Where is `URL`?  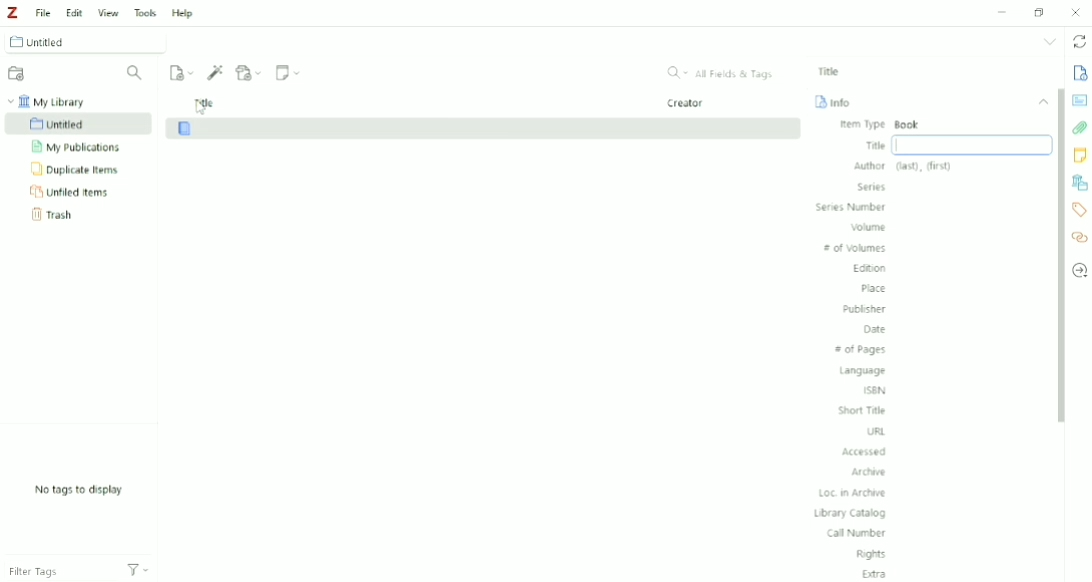 URL is located at coordinates (877, 432).